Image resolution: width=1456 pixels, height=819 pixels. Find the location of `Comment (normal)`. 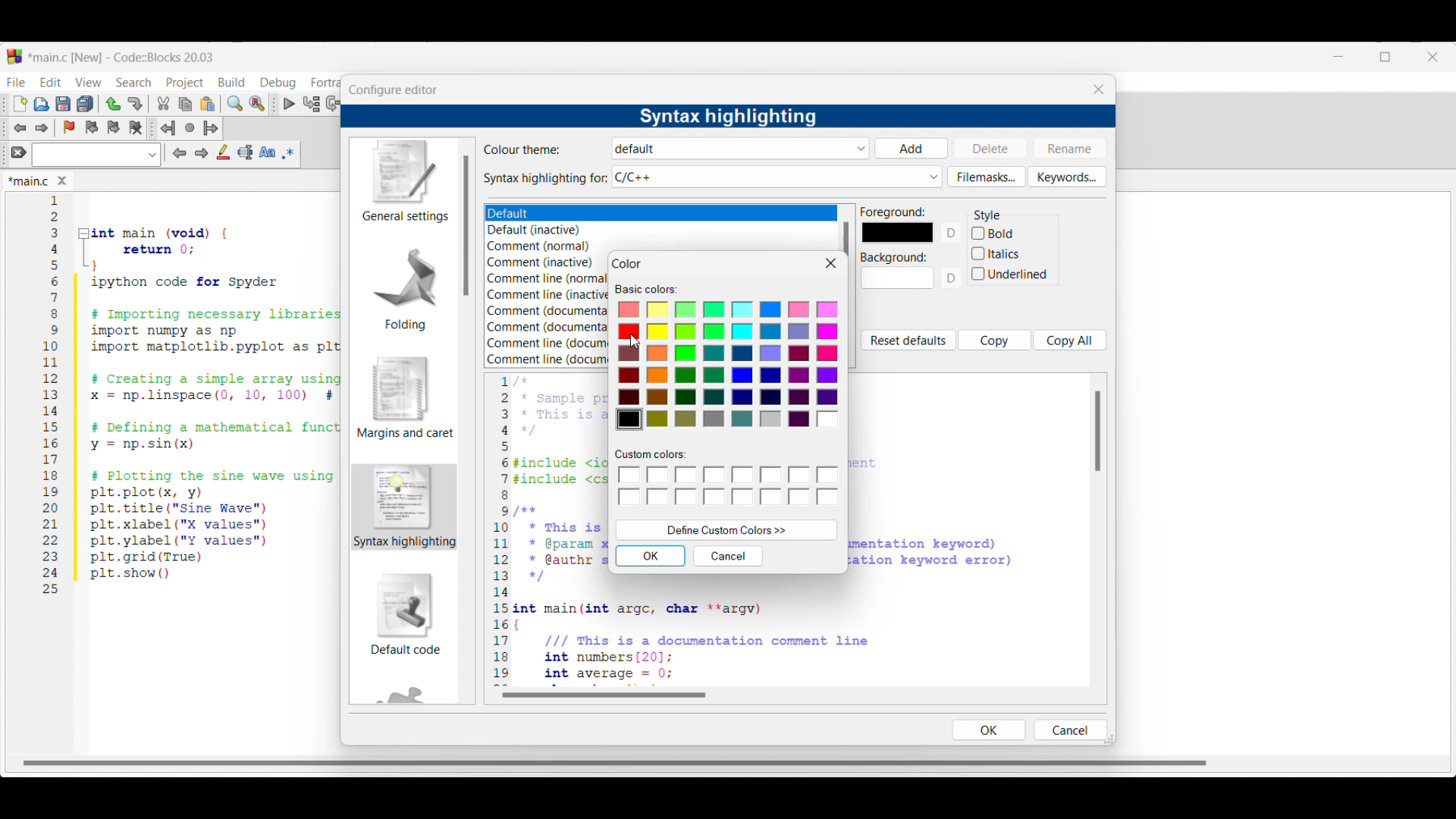

Comment (normal) is located at coordinates (544, 247).